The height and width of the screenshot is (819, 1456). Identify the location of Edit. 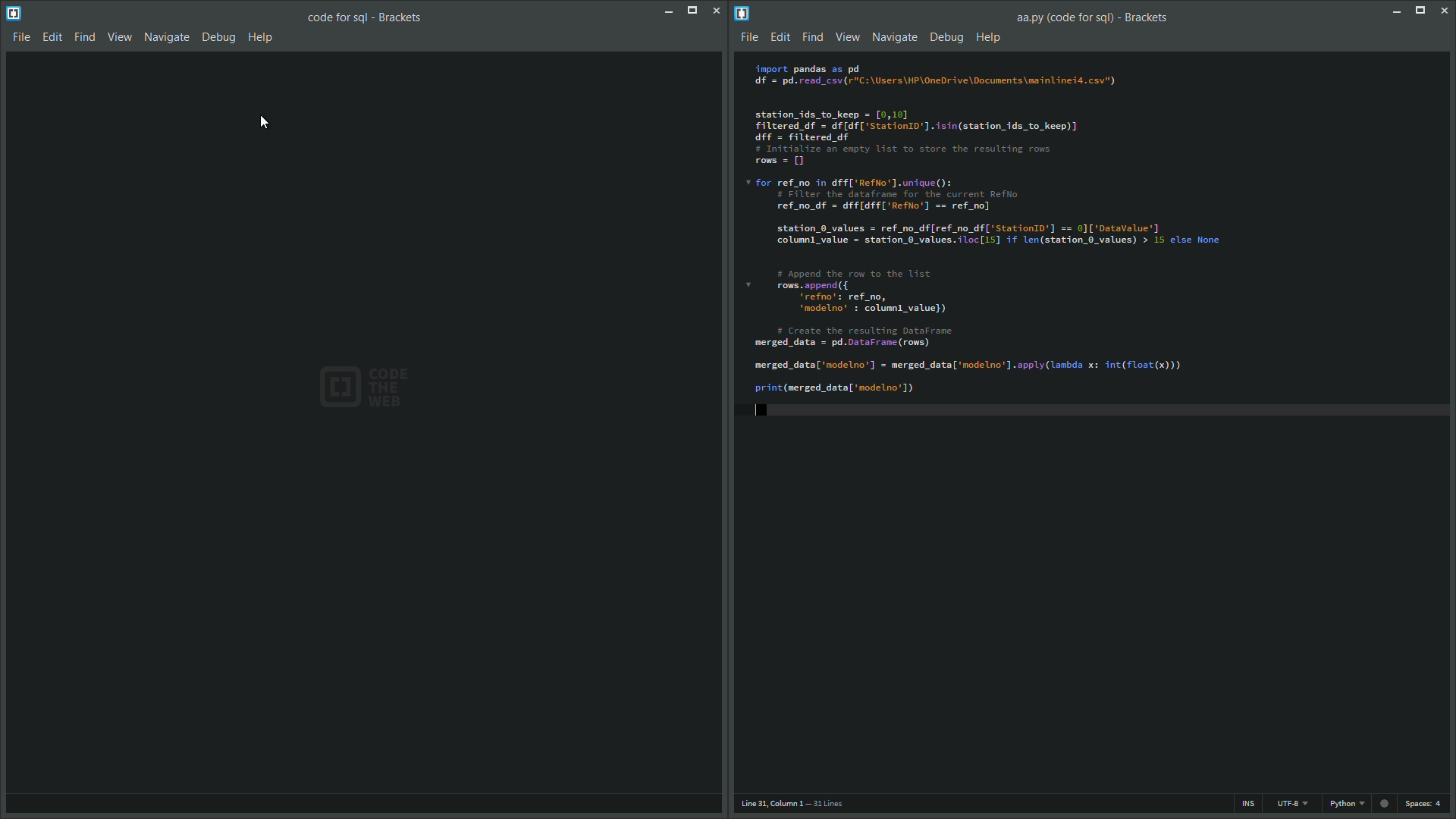
(55, 36).